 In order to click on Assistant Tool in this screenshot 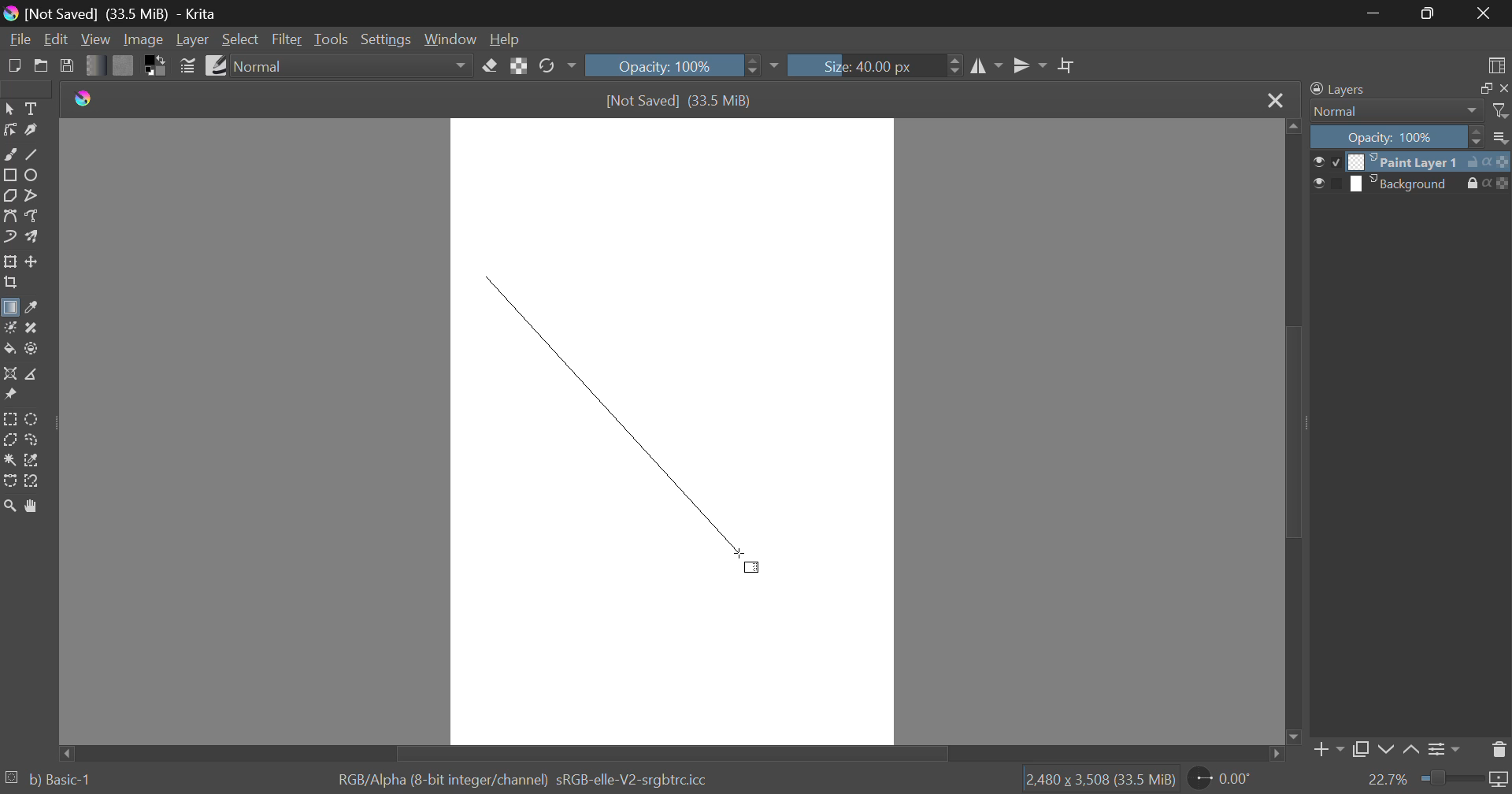, I will do `click(10, 375)`.